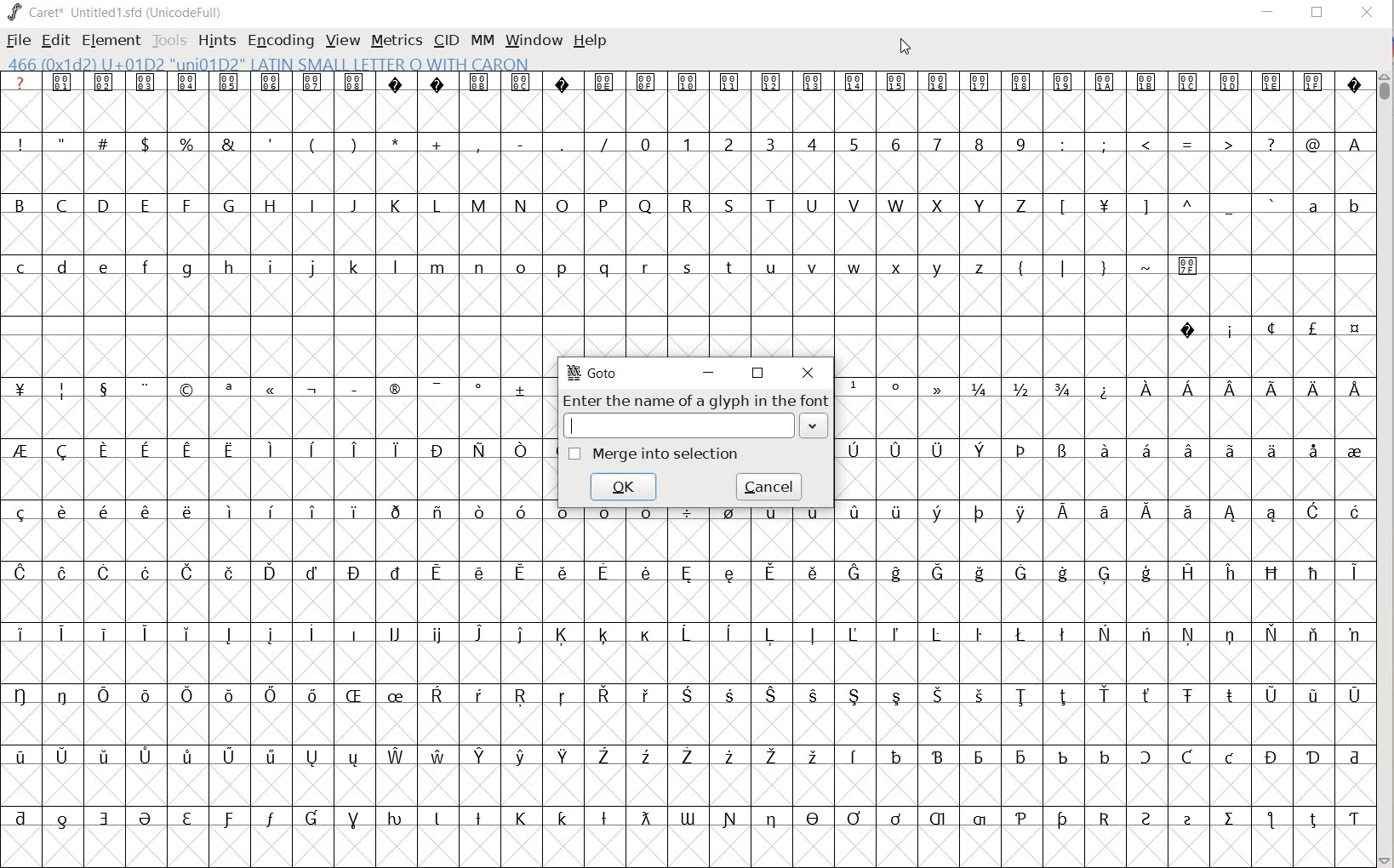 The height and width of the screenshot is (868, 1394). What do you see at coordinates (962, 213) in the screenshot?
I see `glyph characters` at bounding box center [962, 213].